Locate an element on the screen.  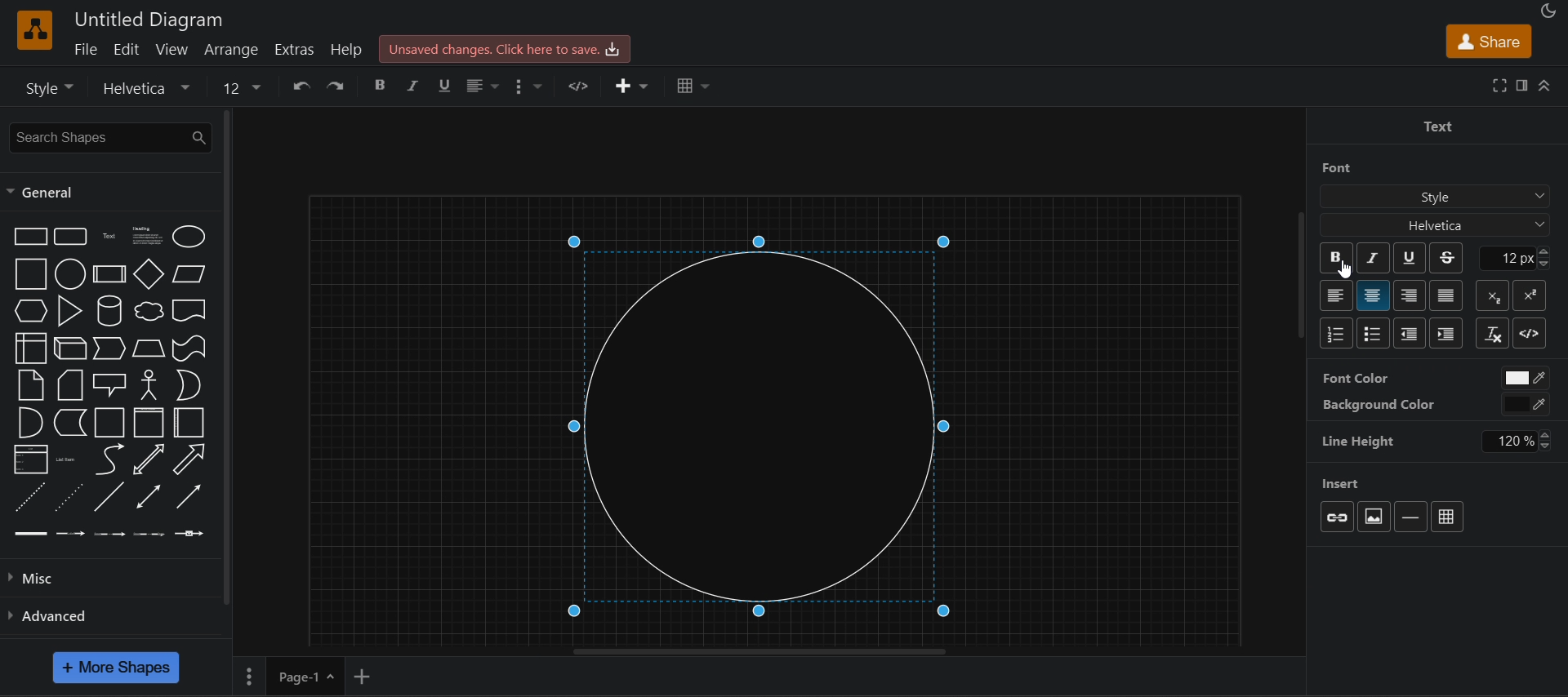
Connector 3 is located at coordinates (106, 534).